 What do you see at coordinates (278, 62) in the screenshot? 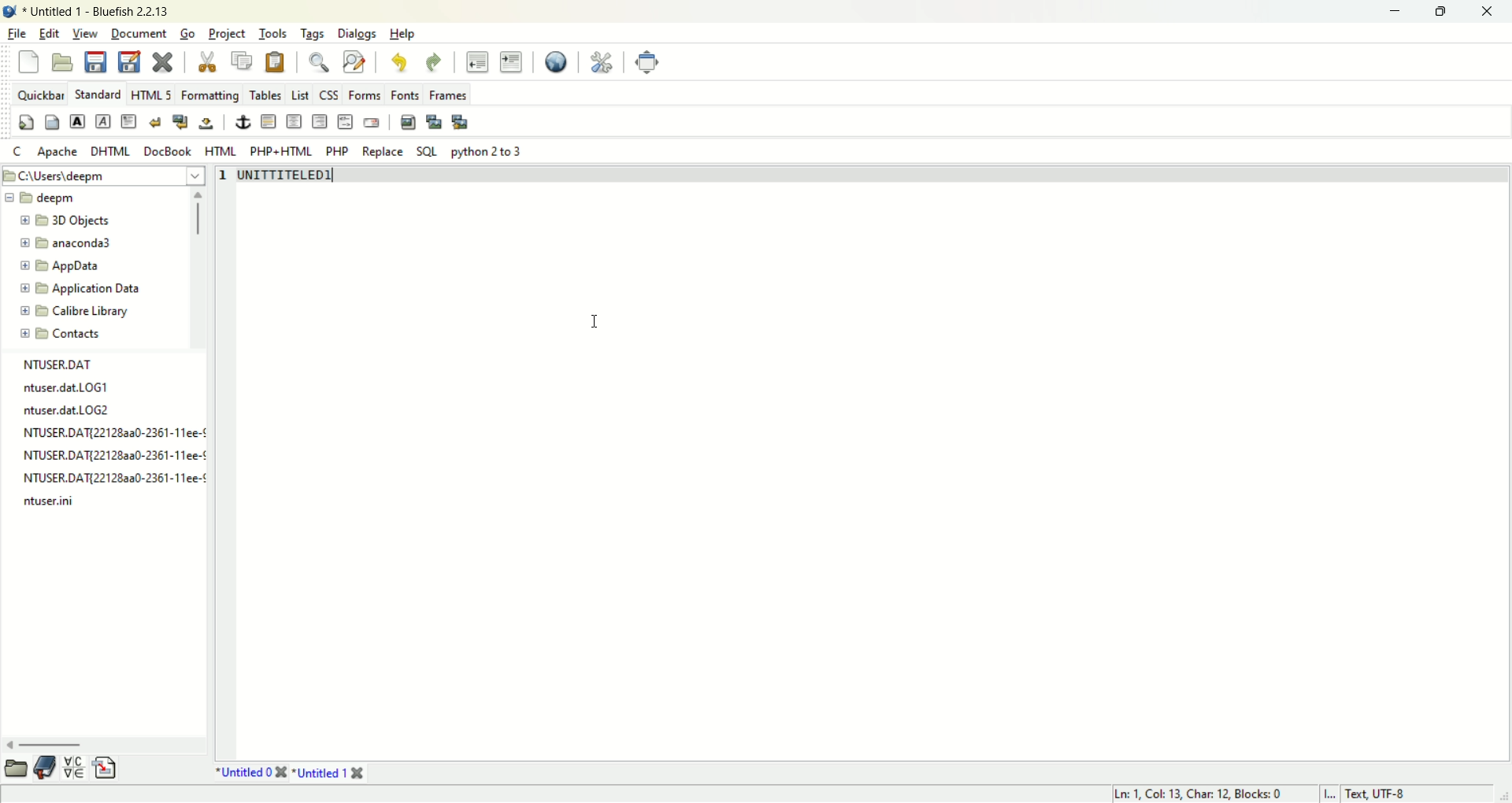
I see `paste` at bounding box center [278, 62].